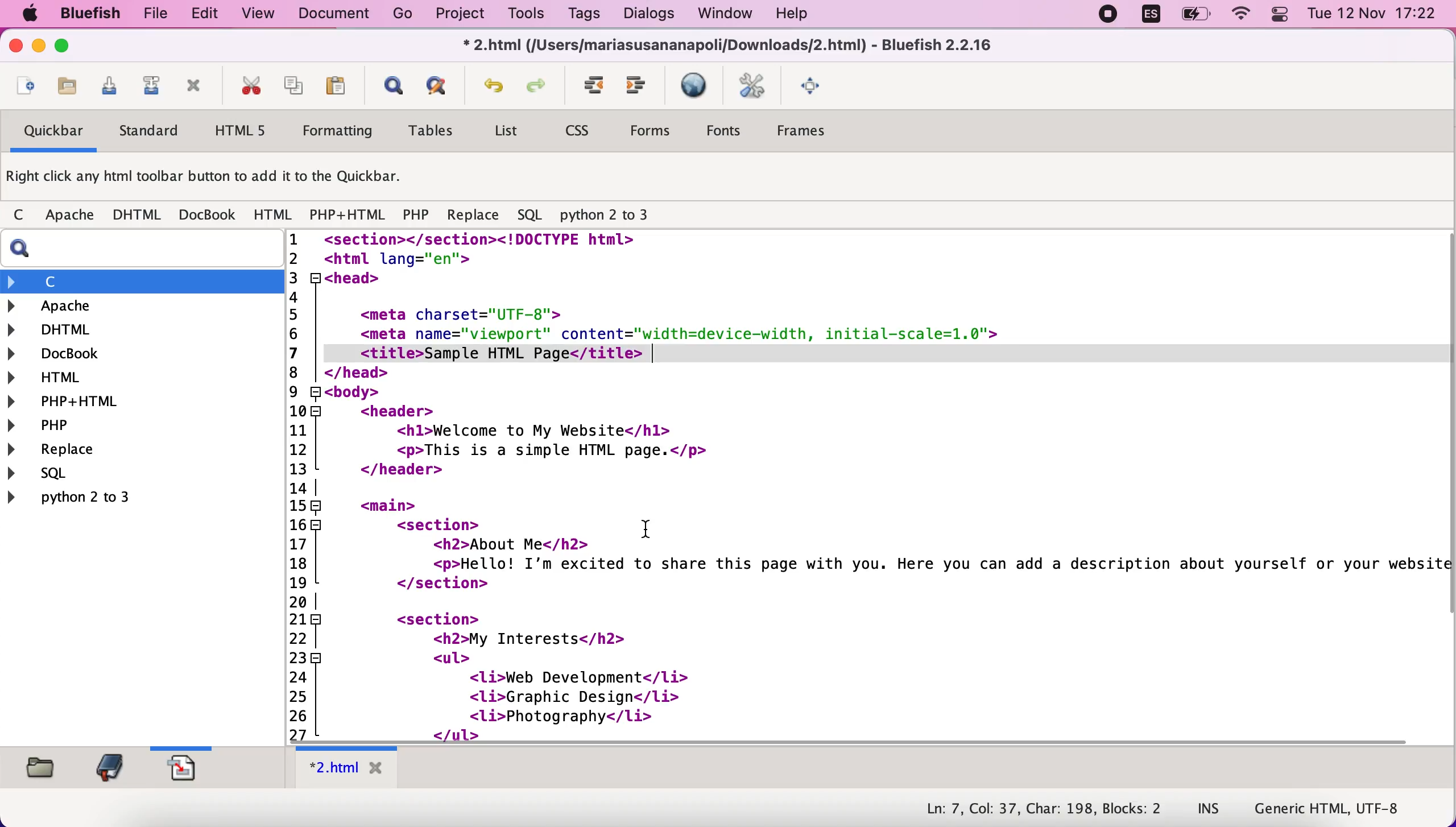 This screenshot has height=827, width=1456. Describe the element at coordinates (595, 86) in the screenshot. I see `indent` at that location.